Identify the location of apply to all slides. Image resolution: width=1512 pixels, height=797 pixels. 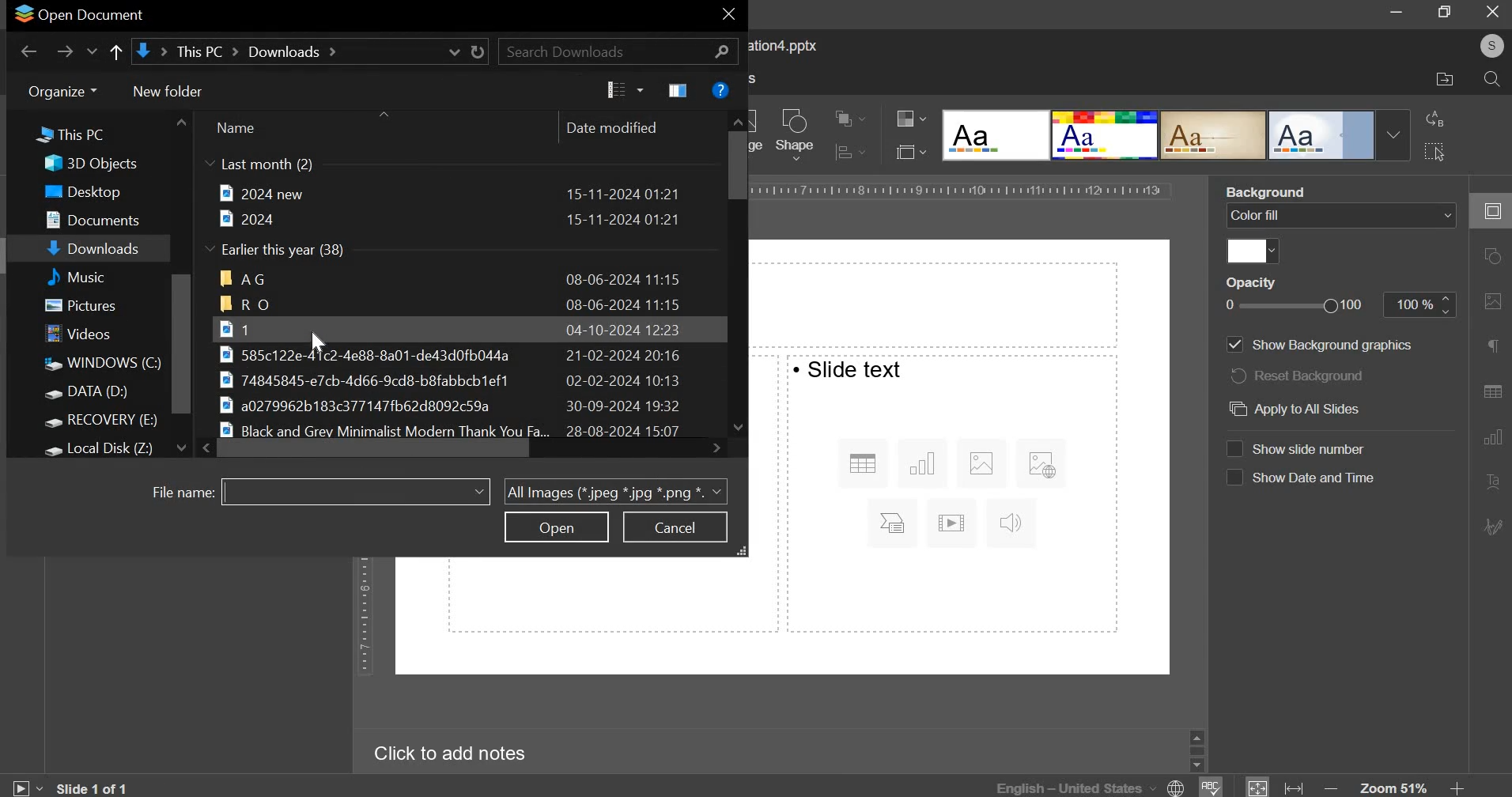
(1292, 410).